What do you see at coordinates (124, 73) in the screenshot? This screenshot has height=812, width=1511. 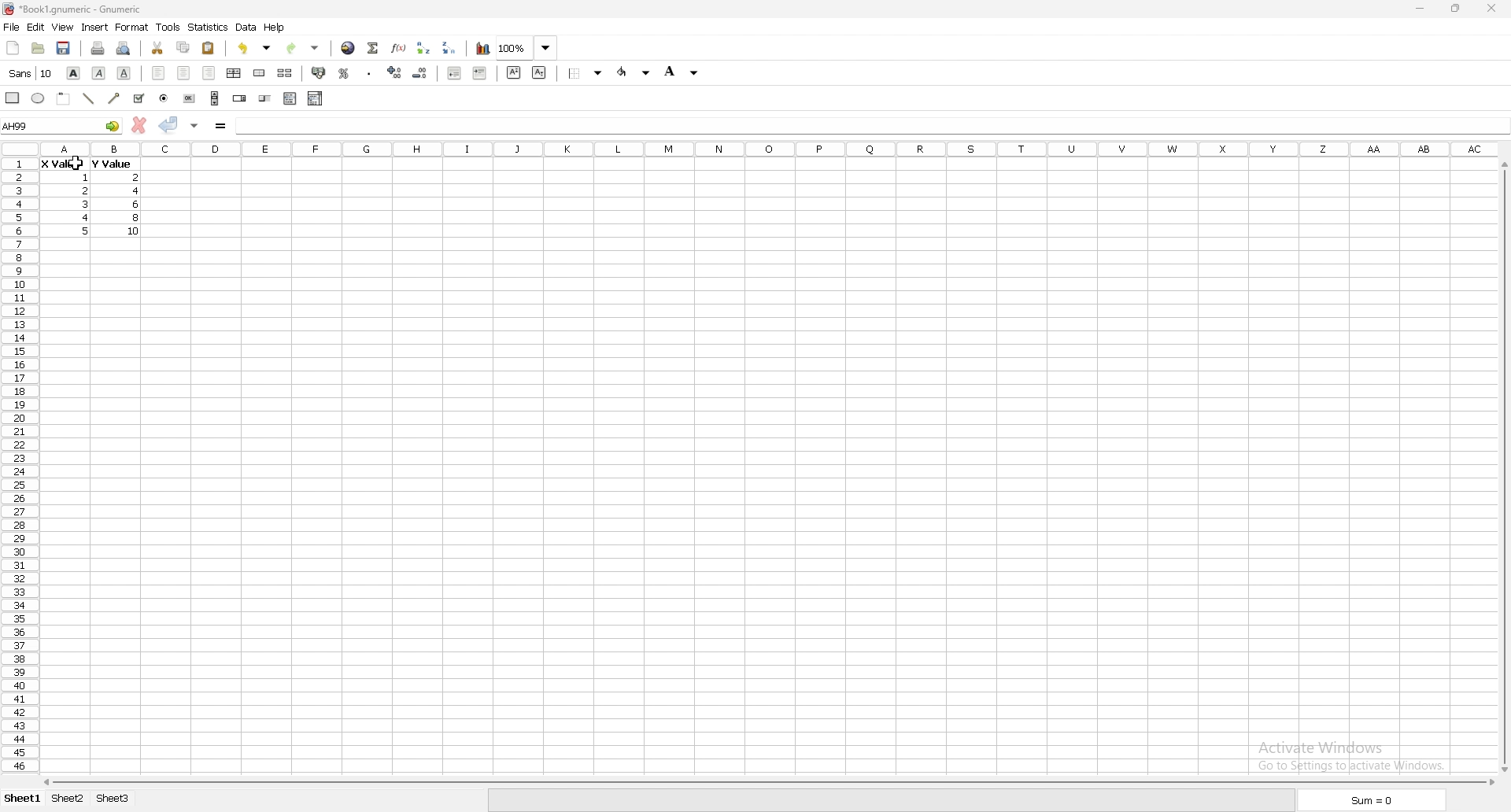 I see `underline` at bounding box center [124, 73].